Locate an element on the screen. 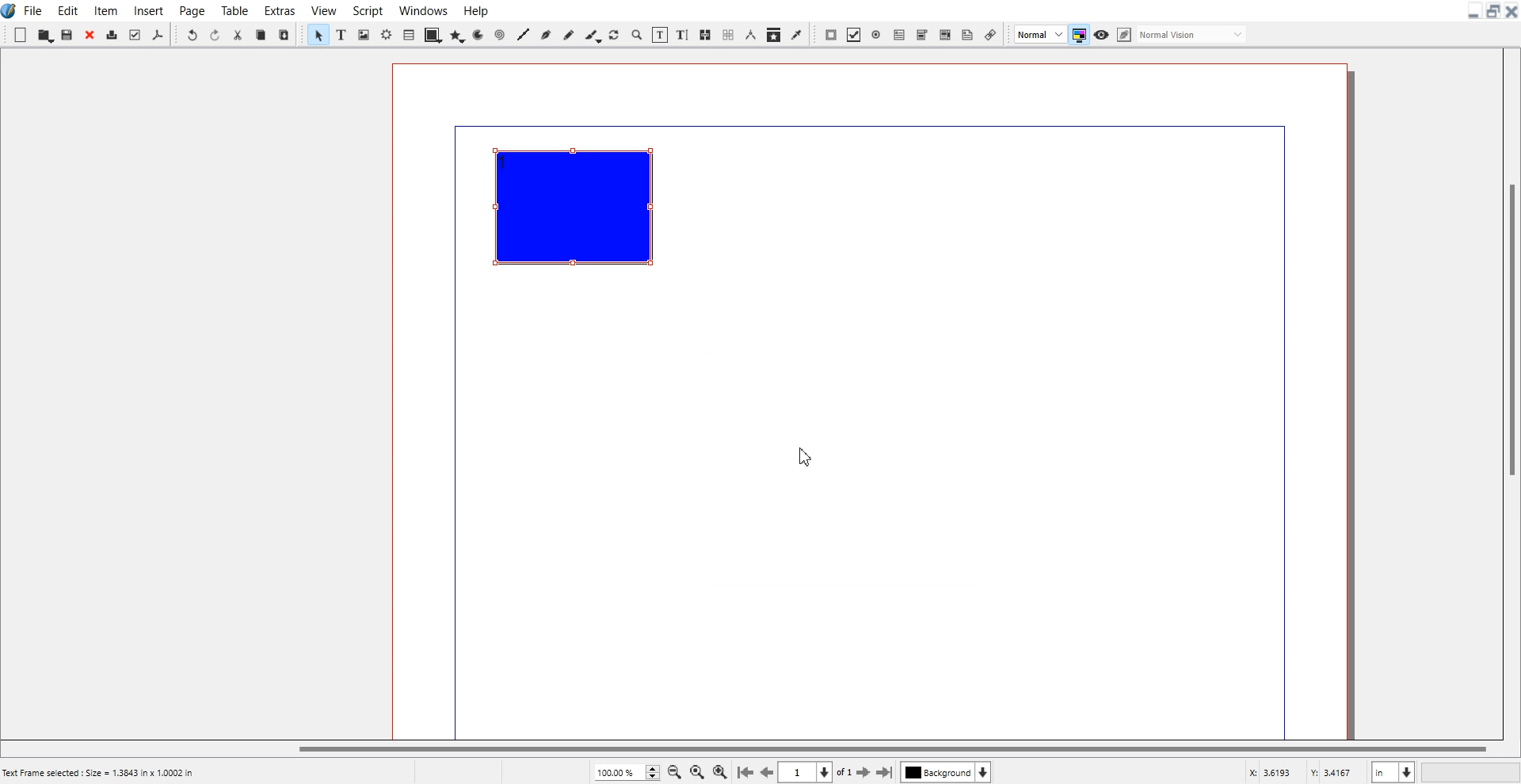 This screenshot has height=784, width=1521. New is located at coordinates (20, 35).